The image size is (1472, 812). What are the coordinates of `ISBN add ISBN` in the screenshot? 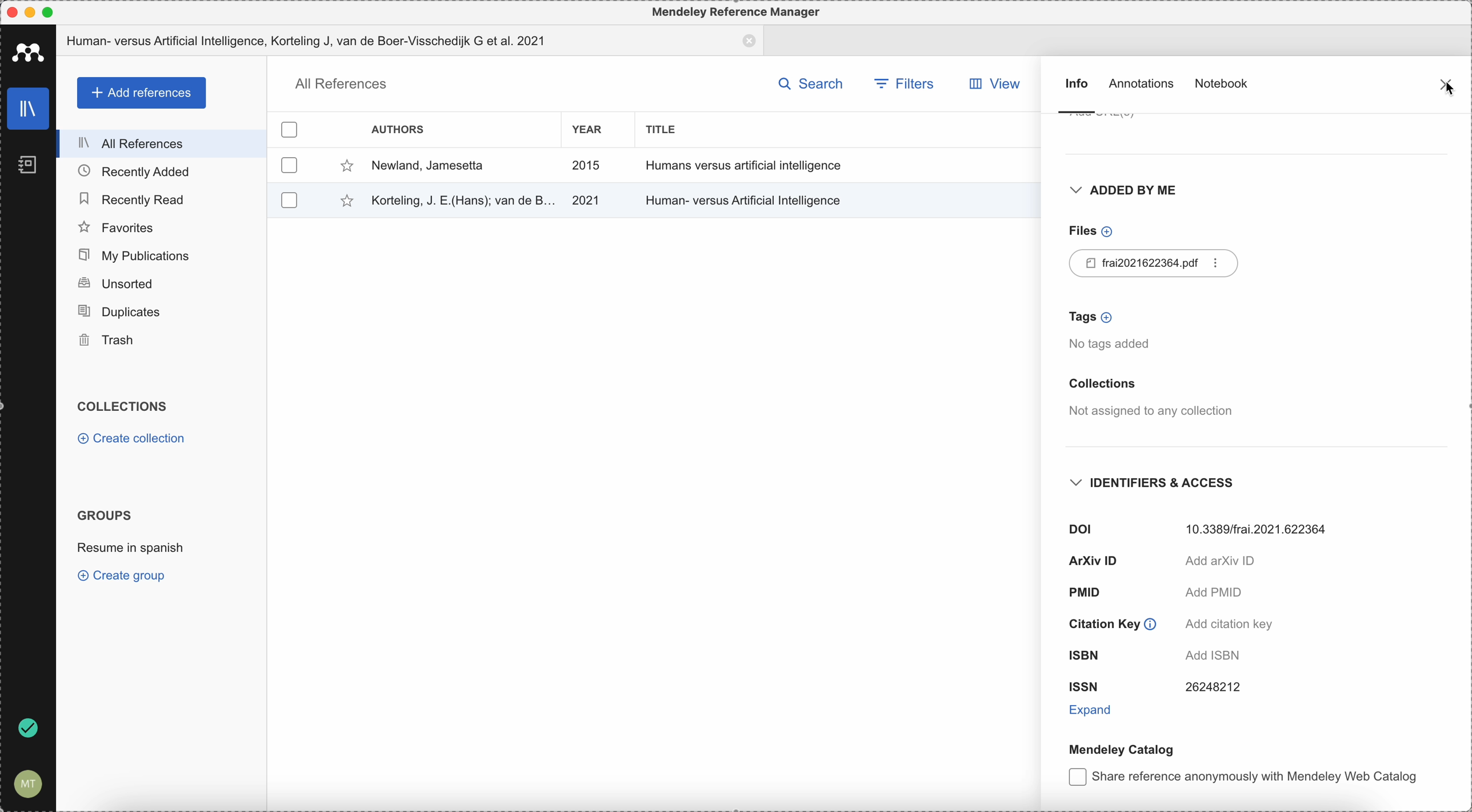 It's located at (1164, 654).